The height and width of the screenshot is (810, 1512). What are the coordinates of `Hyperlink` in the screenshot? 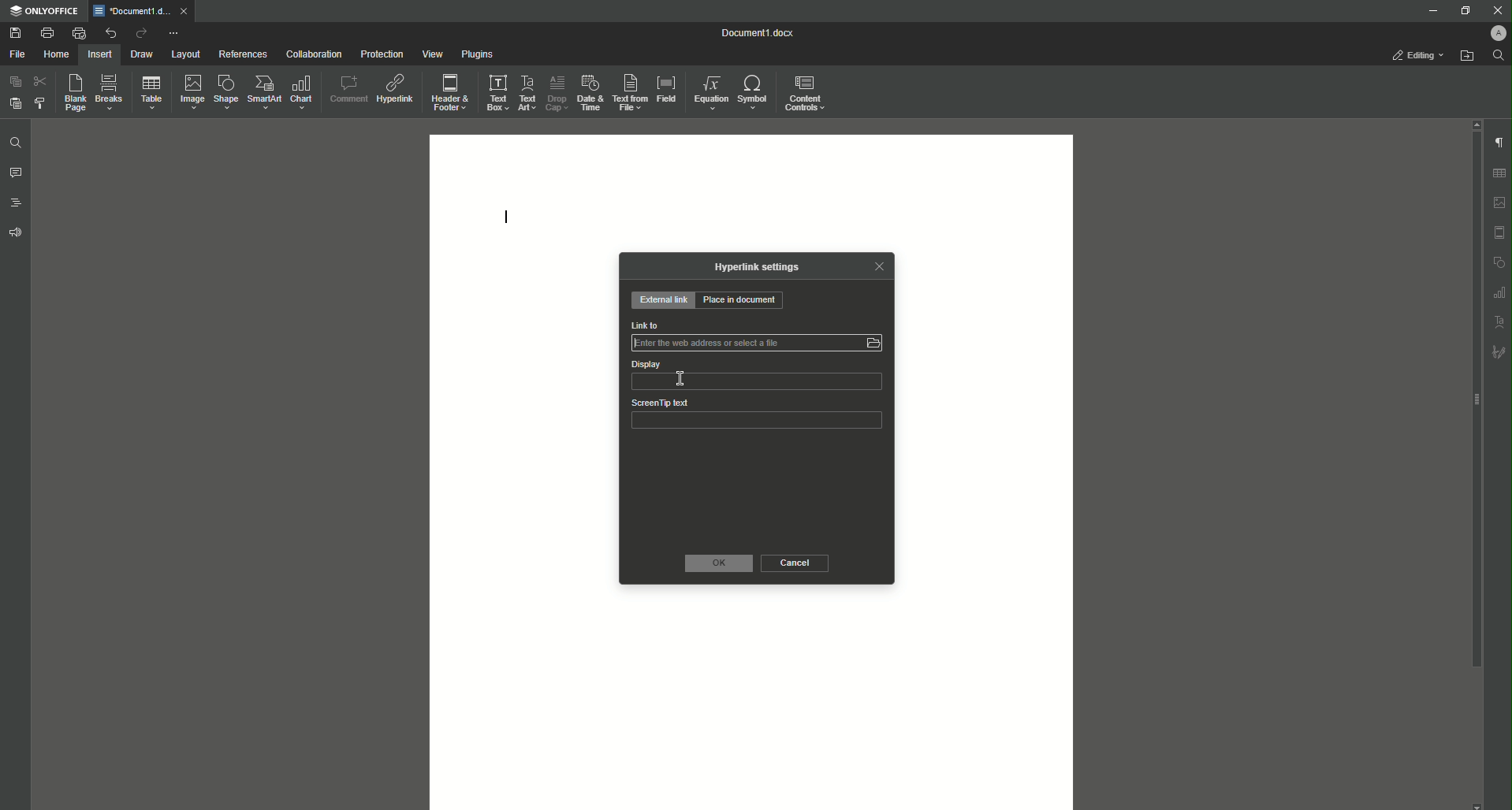 It's located at (396, 91).